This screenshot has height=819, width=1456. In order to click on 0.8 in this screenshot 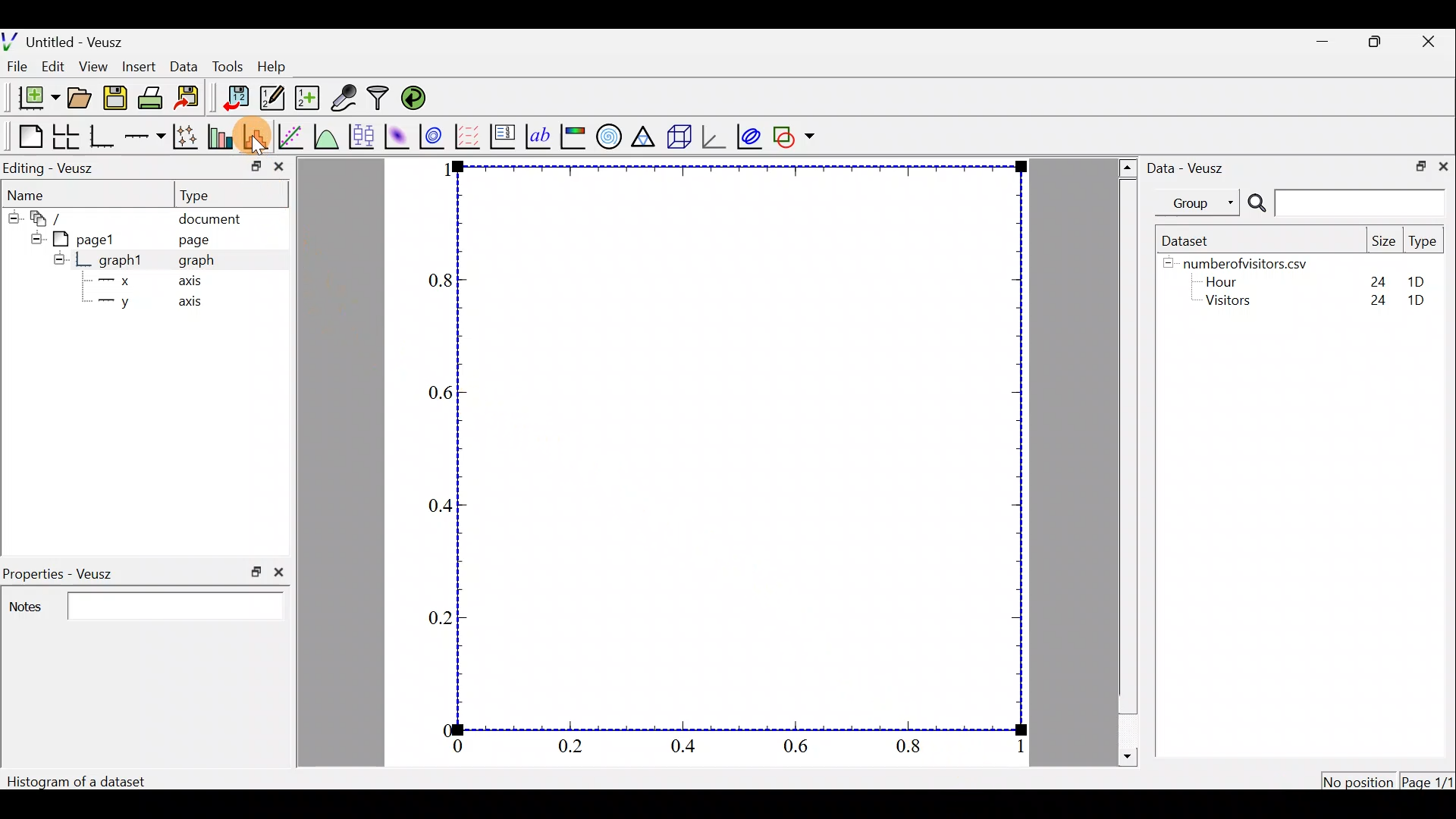, I will do `click(432, 278)`.